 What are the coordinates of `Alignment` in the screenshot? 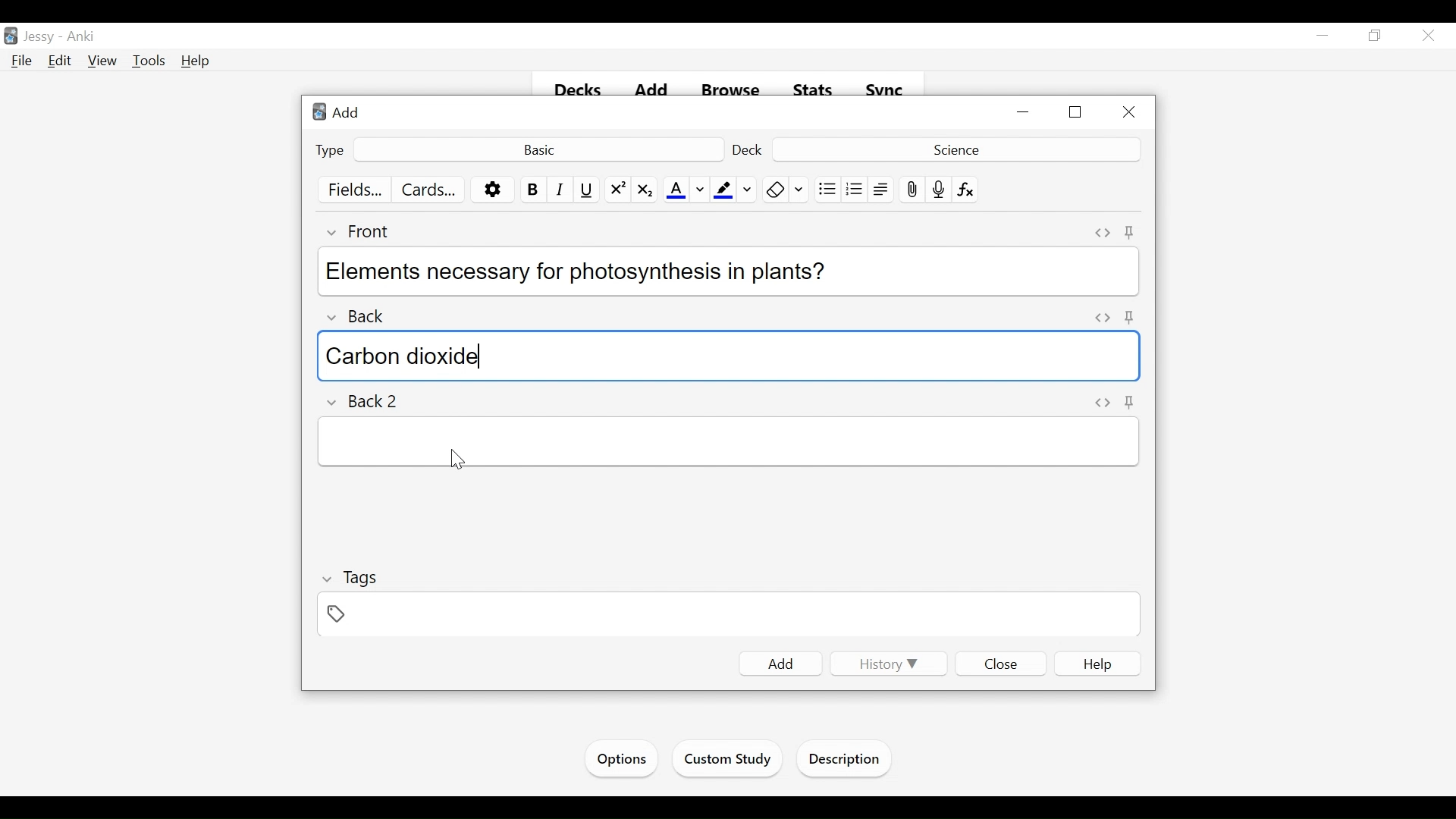 It's located at (881, 190).